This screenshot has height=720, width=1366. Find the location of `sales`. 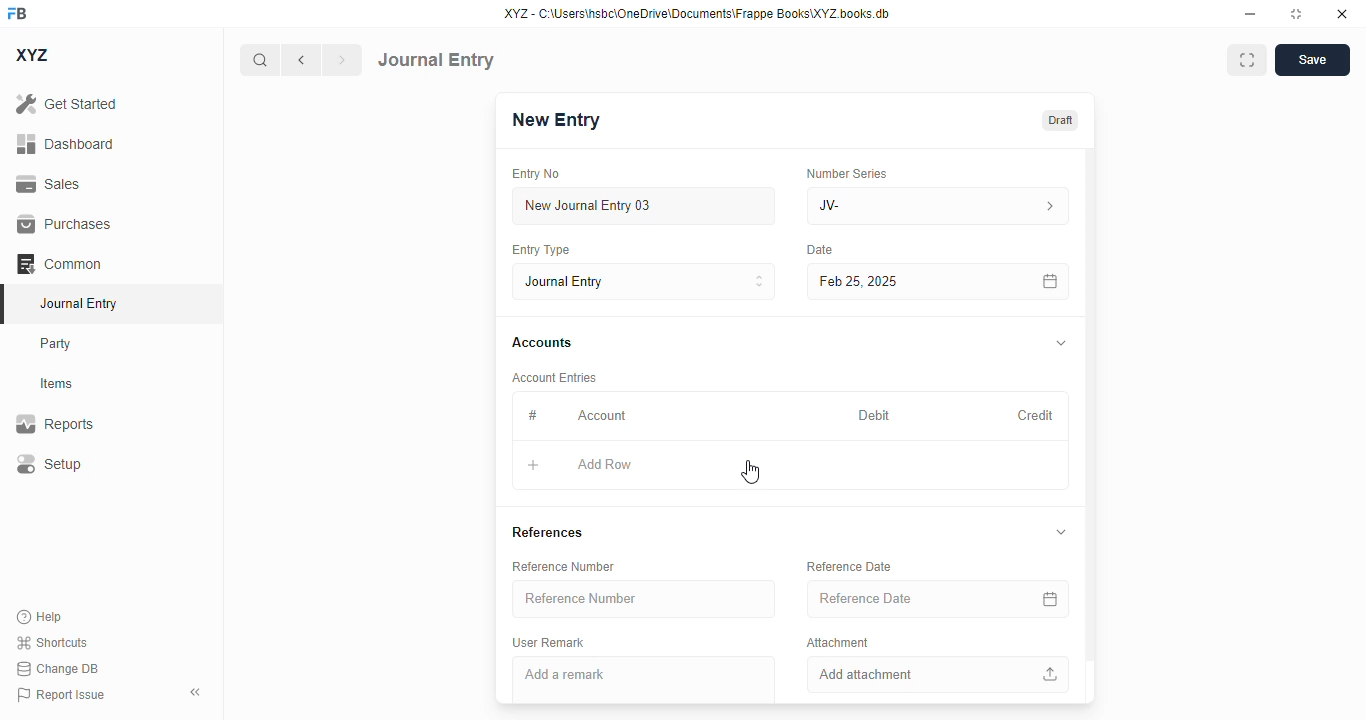

sales is located at coordinates (51, 185).